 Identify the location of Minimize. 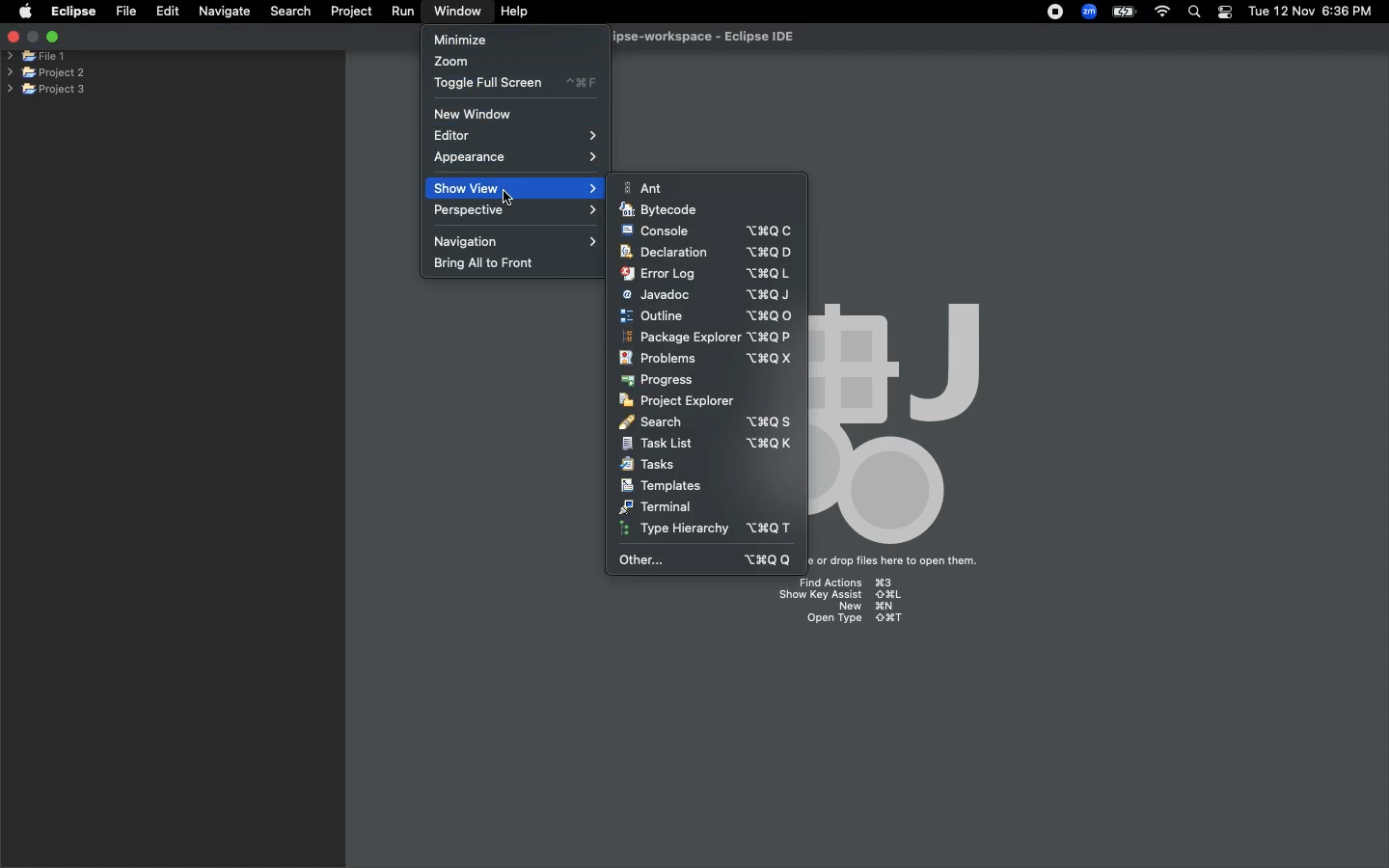
(460, 39).